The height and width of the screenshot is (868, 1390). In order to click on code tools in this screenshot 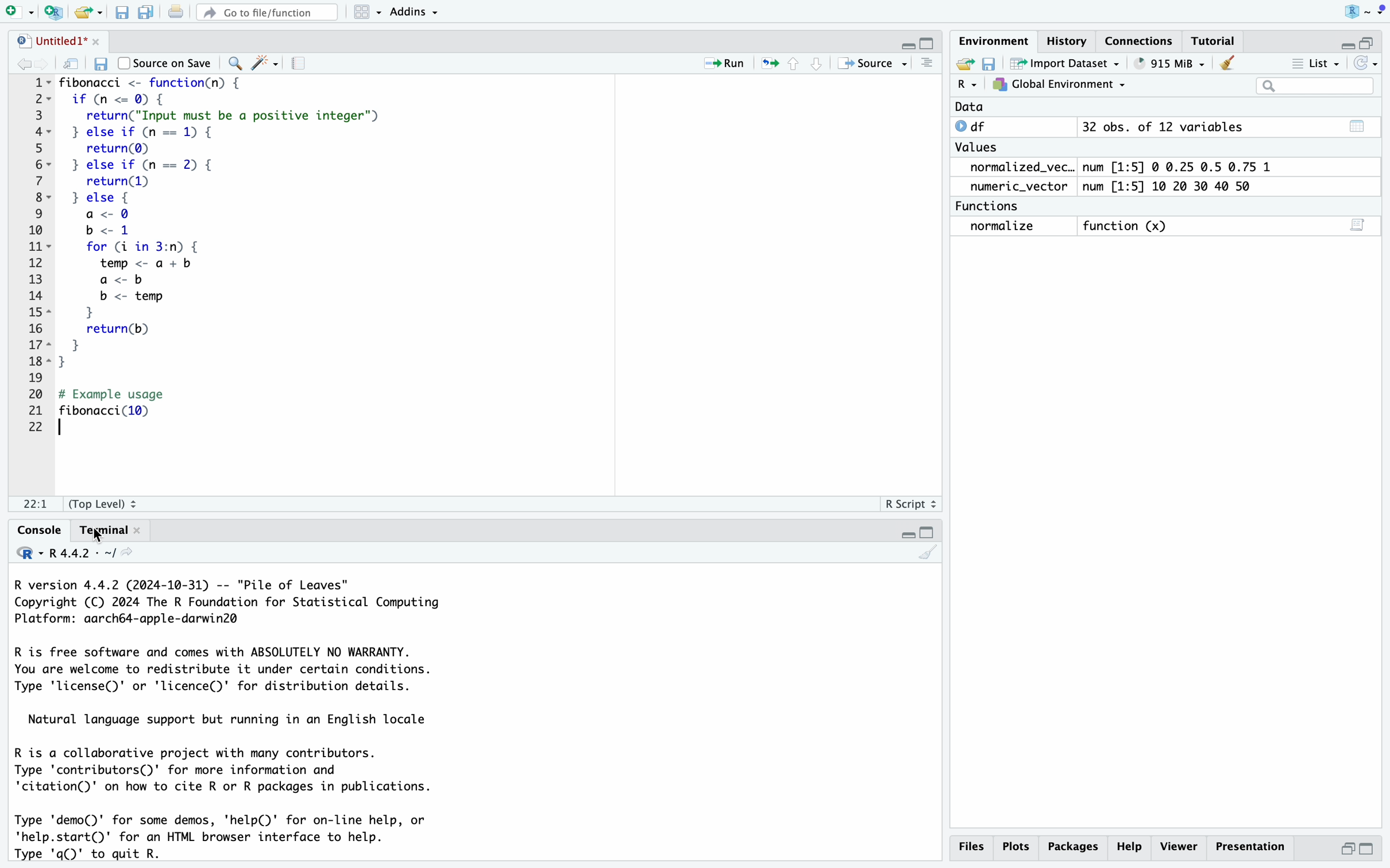, I will do `click(265, 61)`.